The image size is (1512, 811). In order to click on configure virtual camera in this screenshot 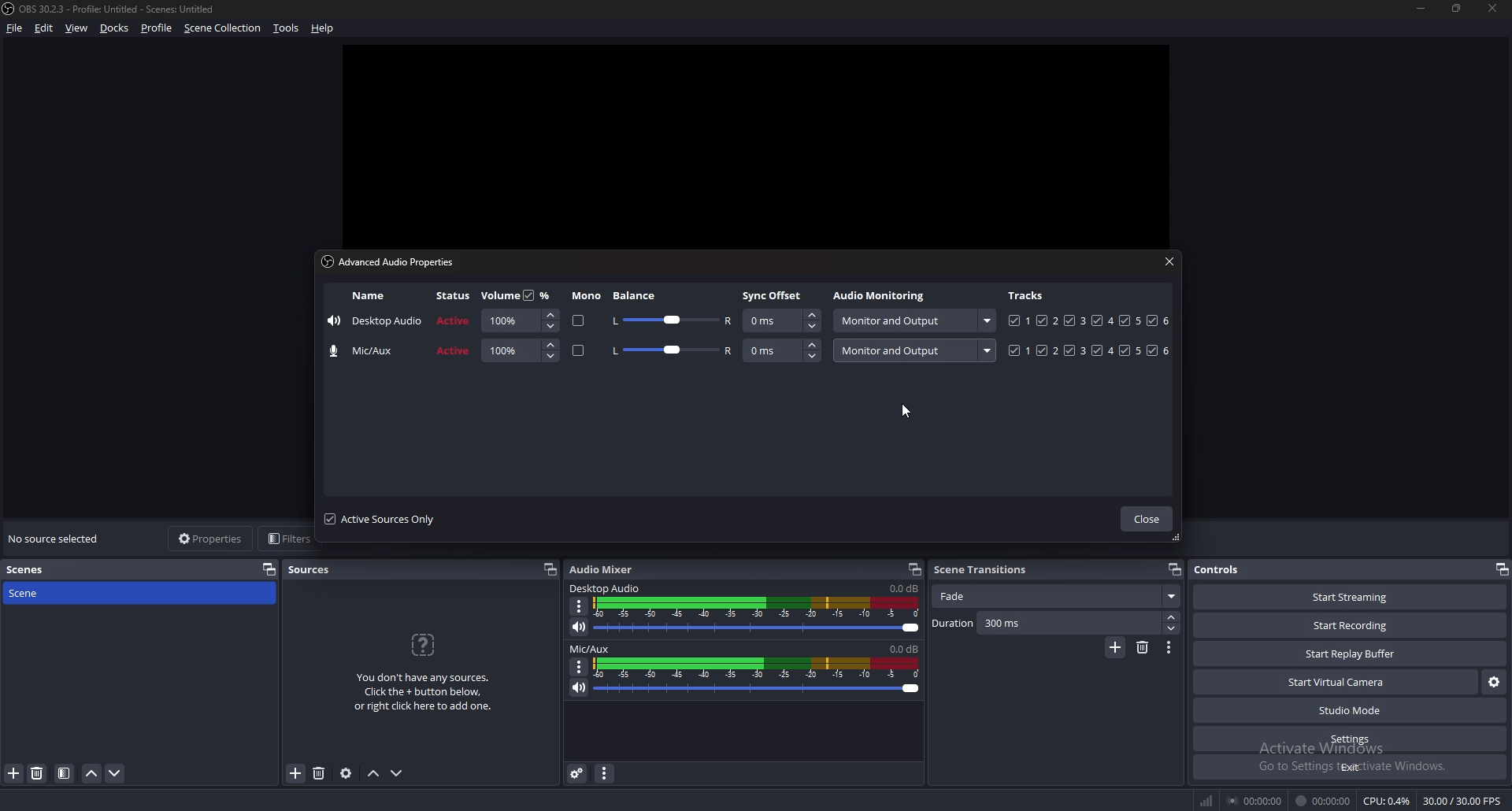, I will do `click(1494, 683)`.